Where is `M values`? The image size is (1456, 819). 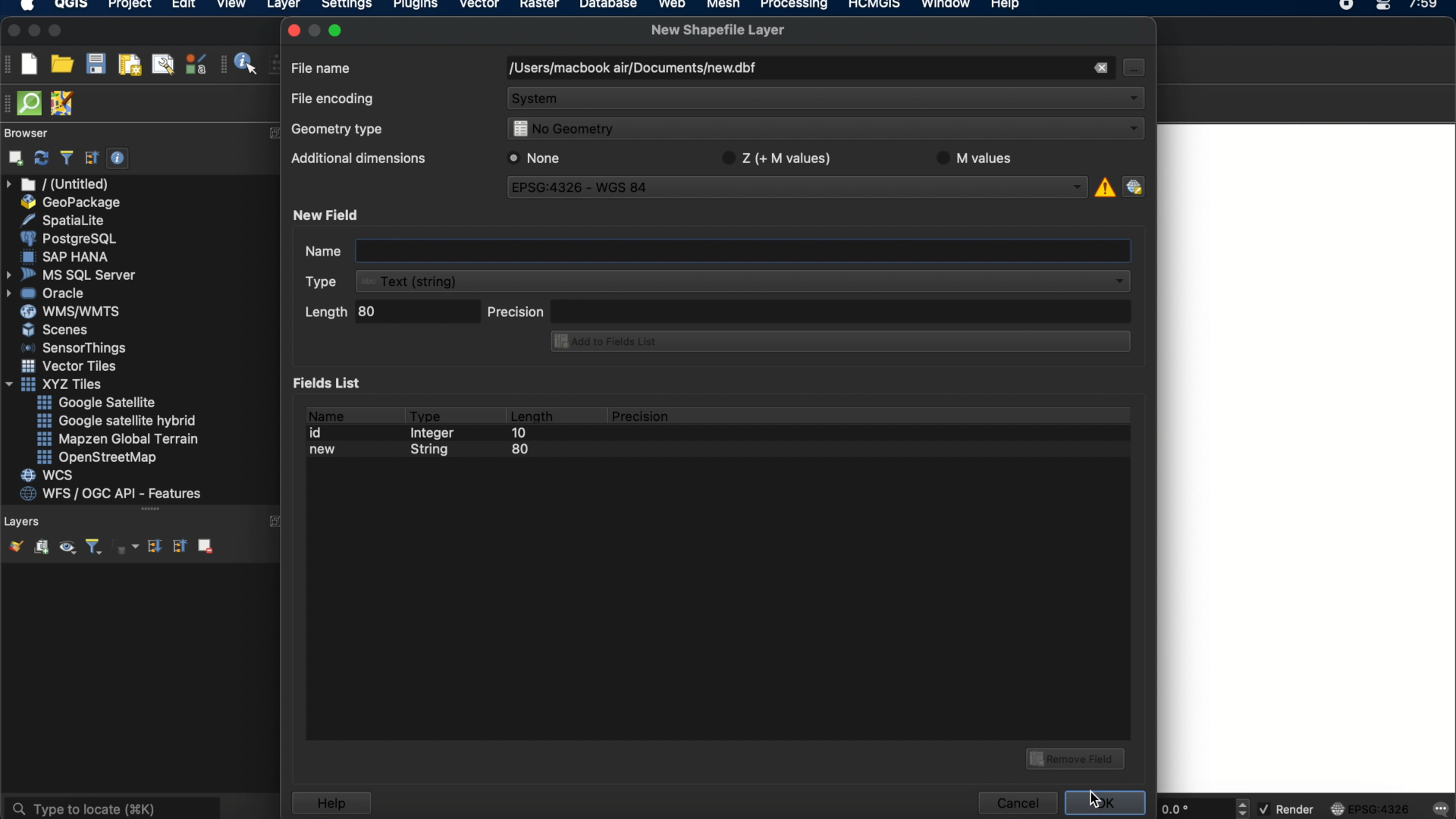
M values is located at coordinates (981, 158).